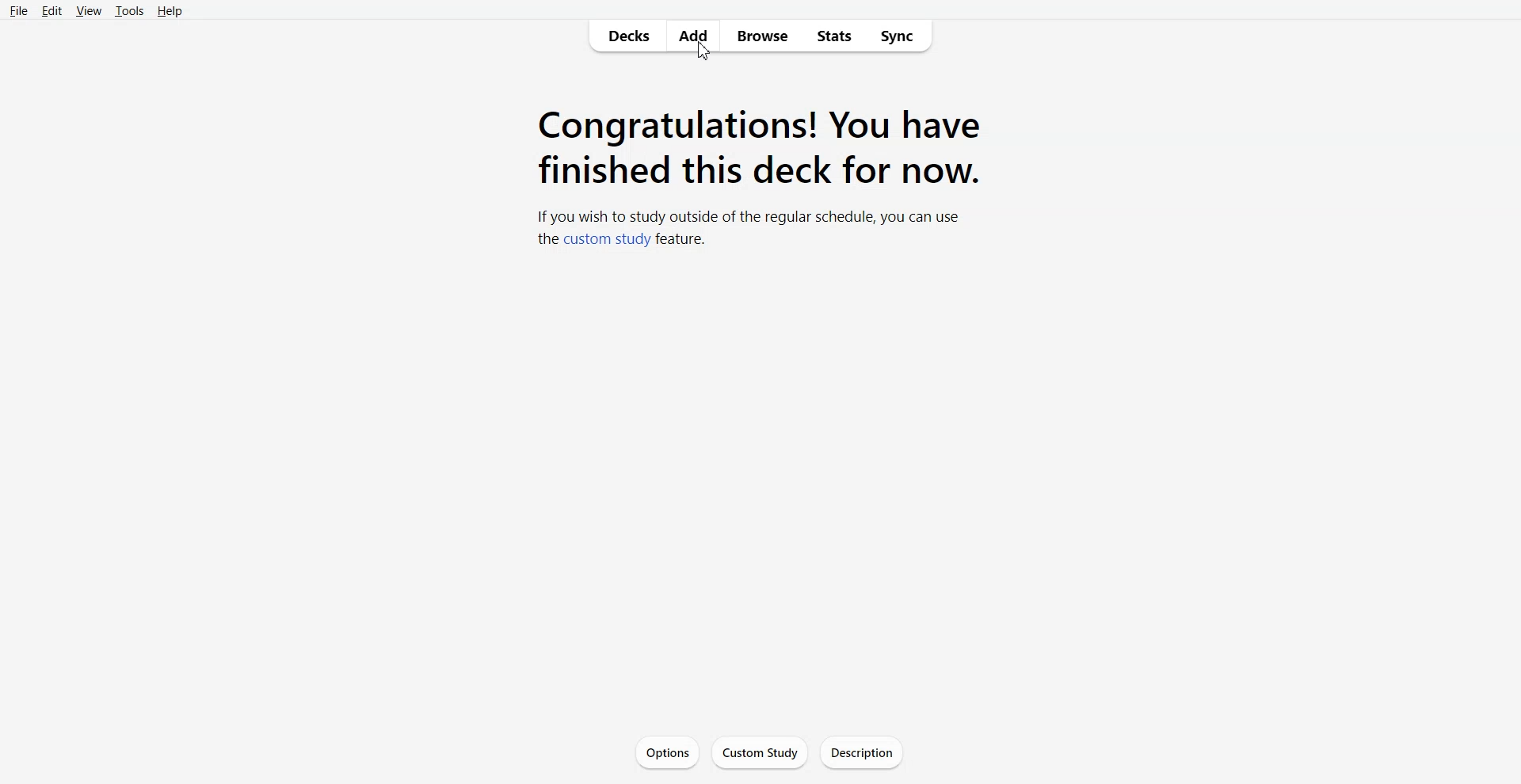  What do you see at coordinates (694, 36) in the screenshot?
I see `Add` at bounding box center [694, 36].